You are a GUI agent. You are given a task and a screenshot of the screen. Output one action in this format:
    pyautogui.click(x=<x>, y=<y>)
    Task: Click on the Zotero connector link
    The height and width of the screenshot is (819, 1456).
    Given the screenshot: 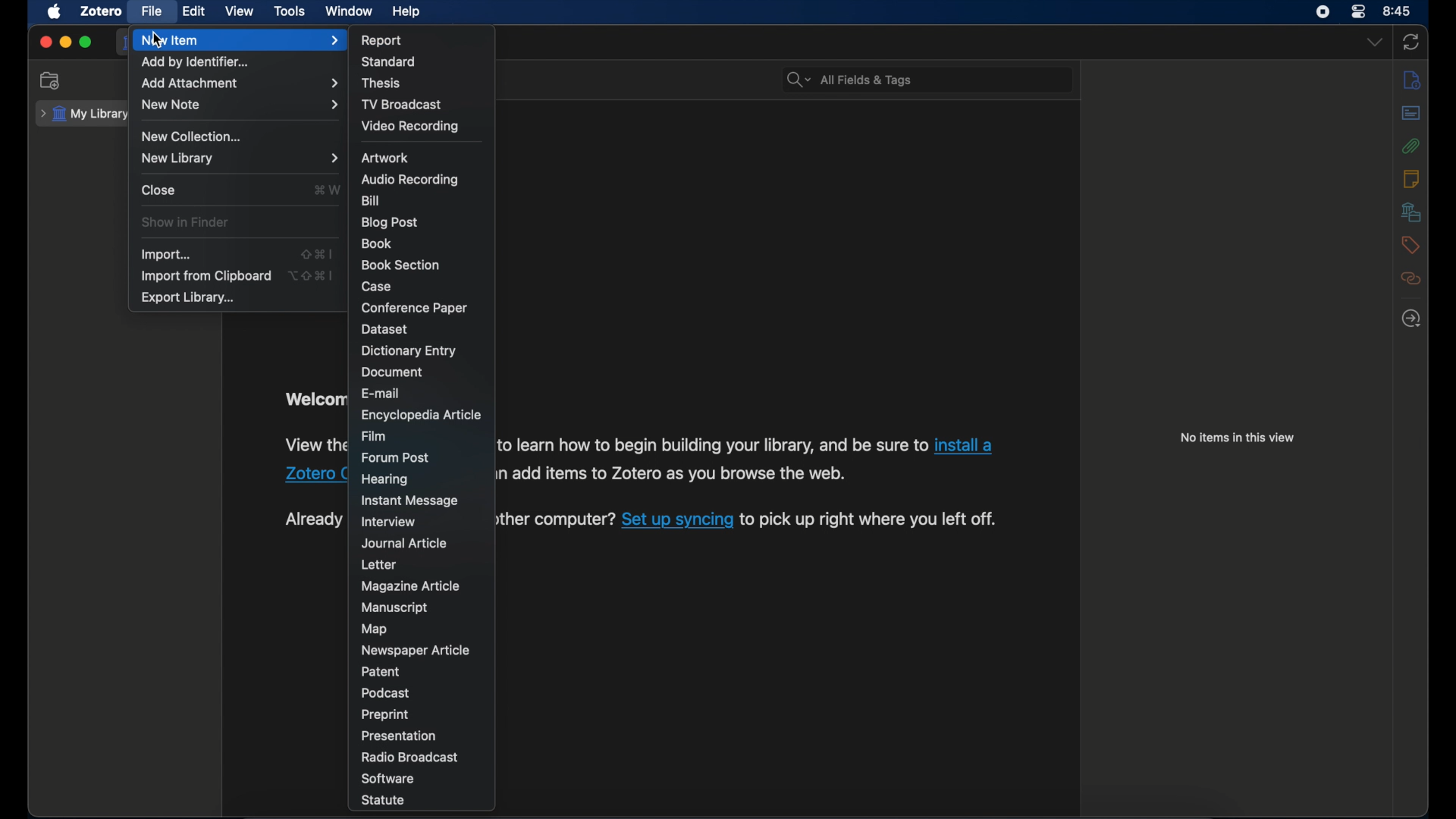 What is the action you would take?
    pyautogui.click(x=964, y=445)
    